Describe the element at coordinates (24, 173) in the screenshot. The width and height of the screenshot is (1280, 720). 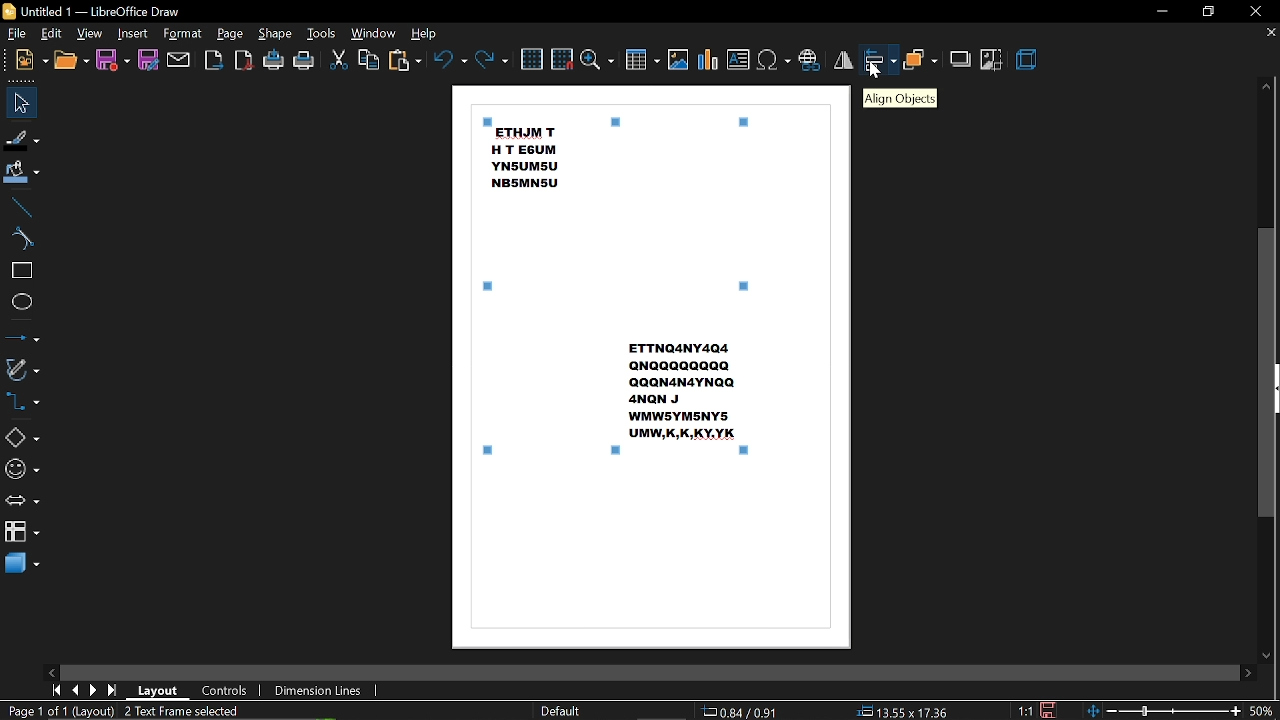
I see `fill color` at that location.